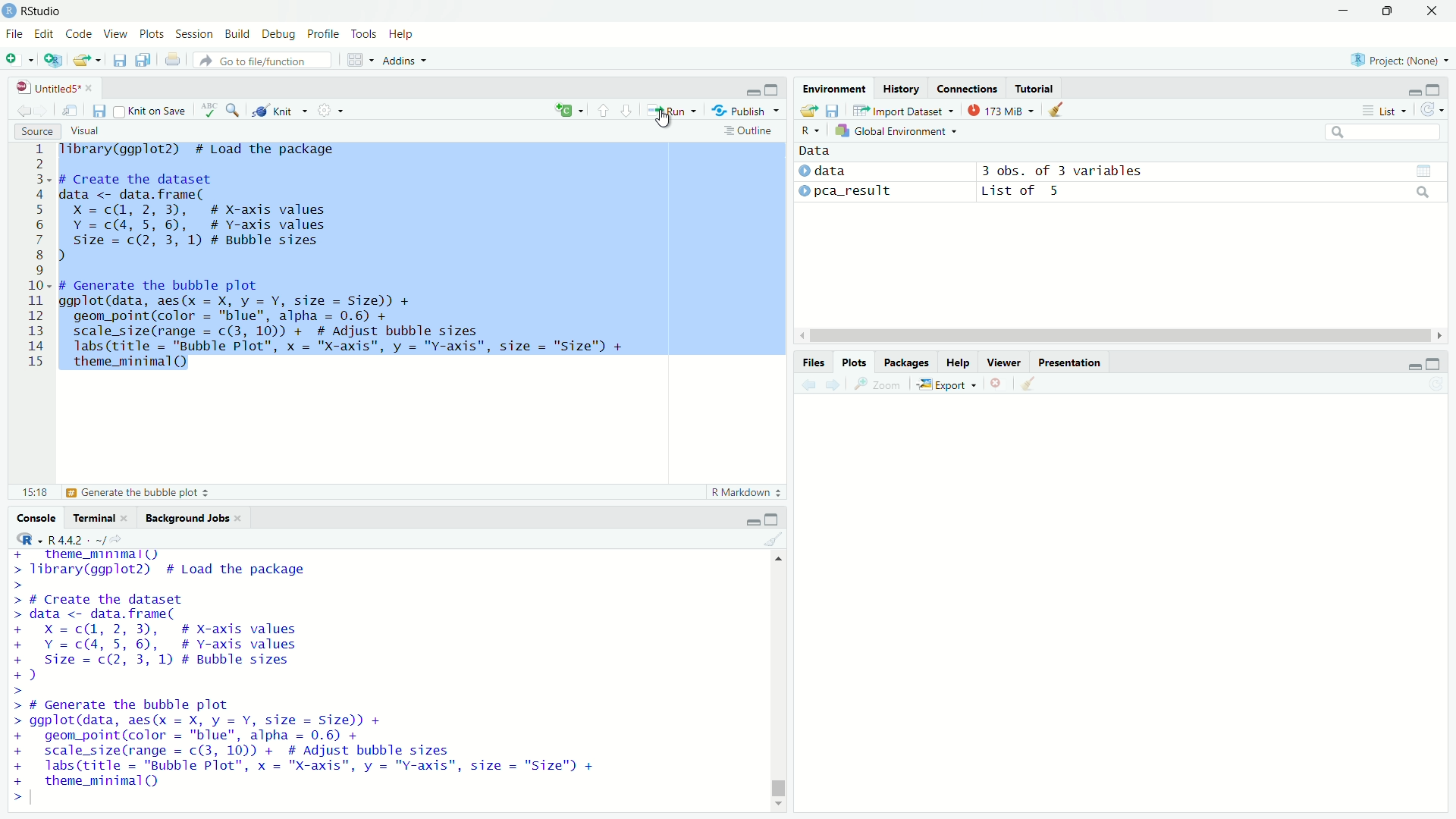 The image size is (1456, 819). Describe the element at coordinates (906, 362) in the screenshot. I see `packages` at that location.